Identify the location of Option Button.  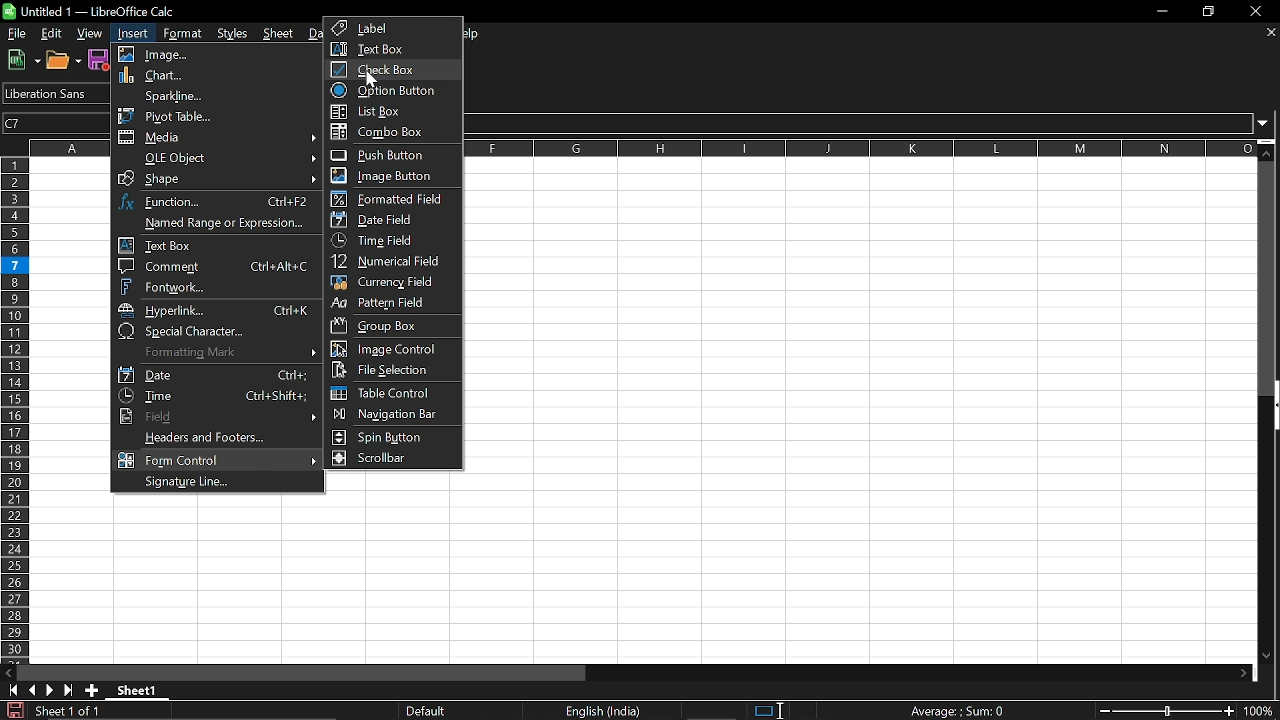
(387, 91).